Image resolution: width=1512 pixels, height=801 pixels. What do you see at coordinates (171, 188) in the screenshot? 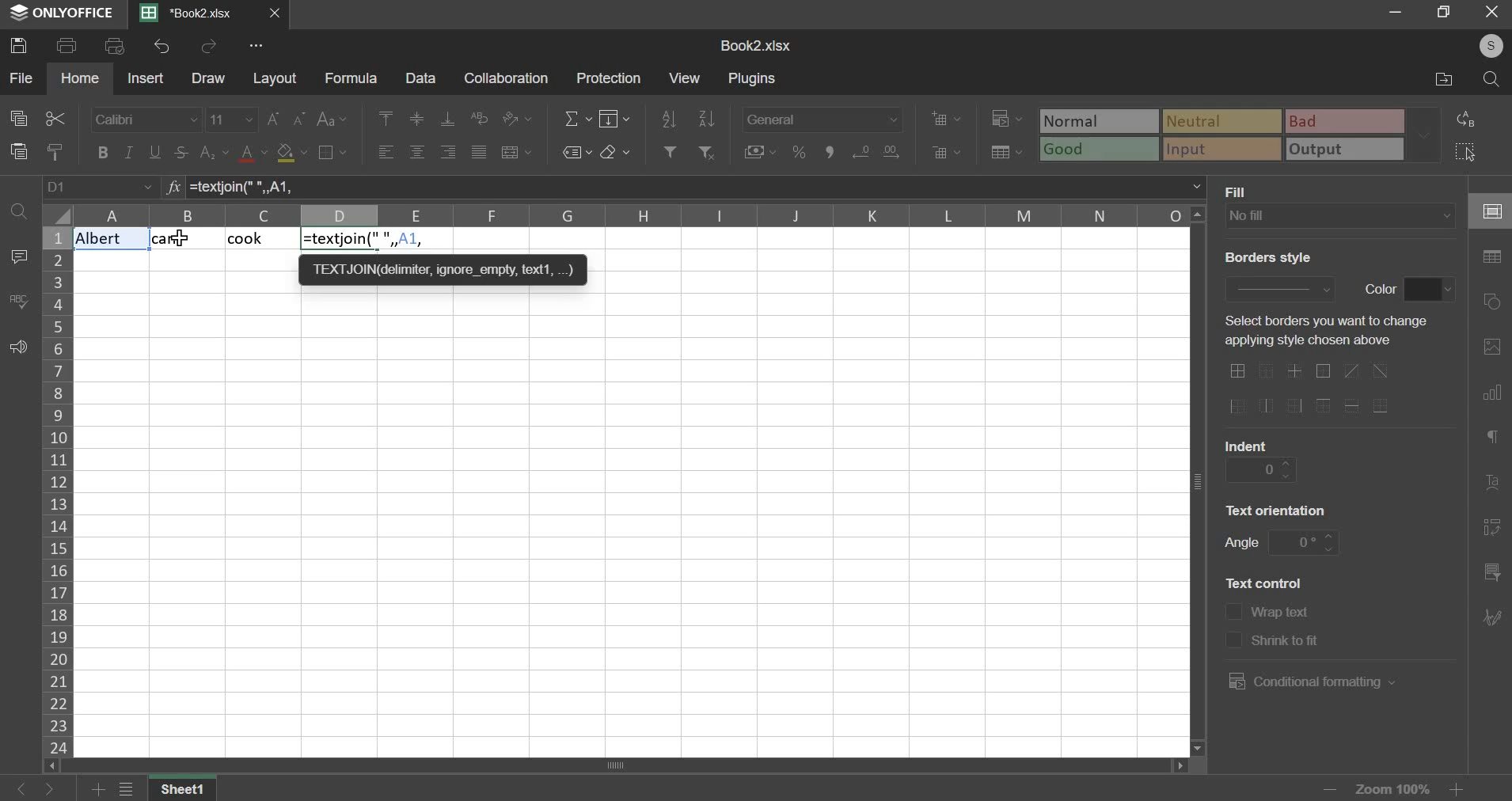
I see `formula` at bounding box center [171, 188].